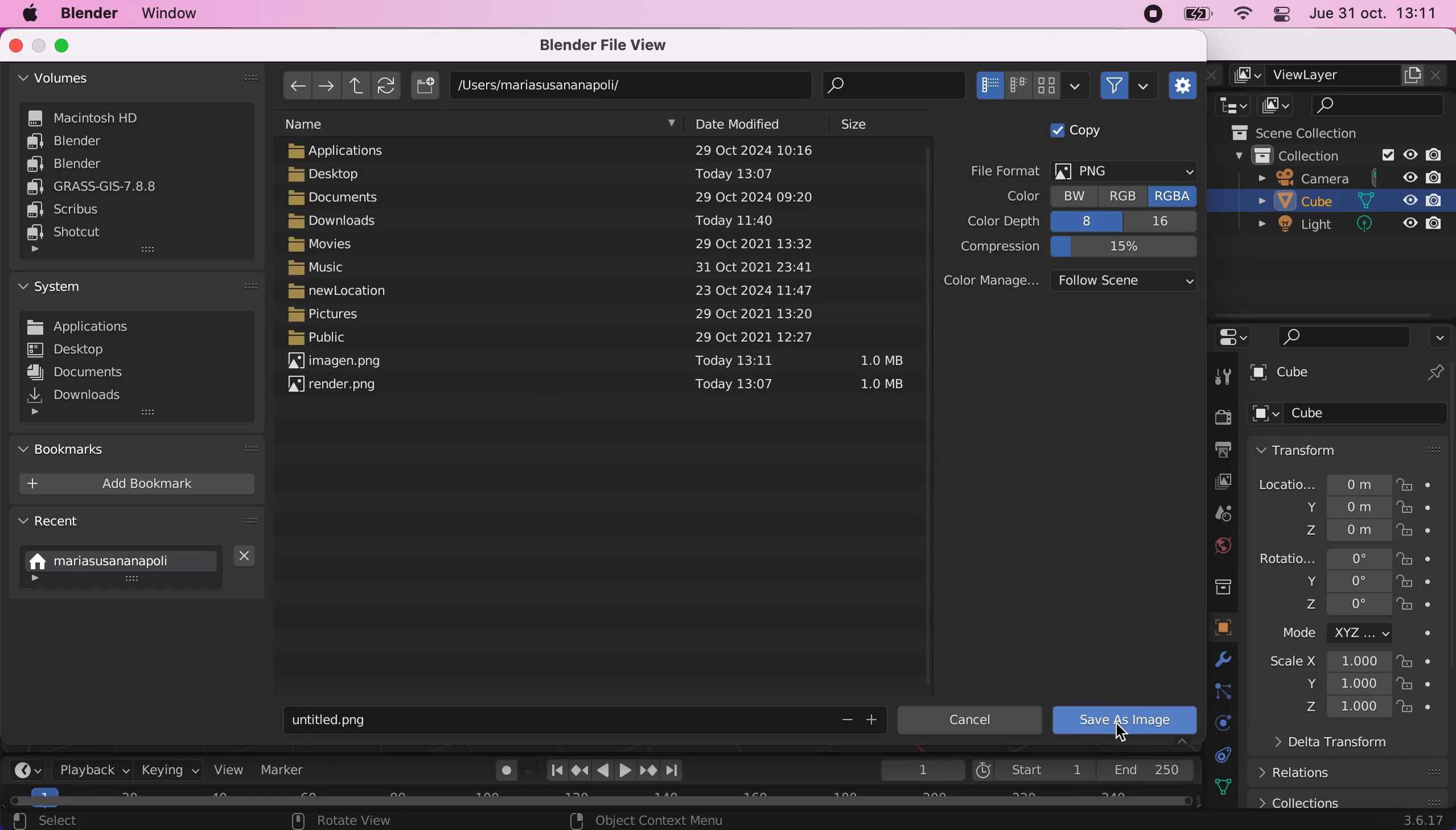 The height and width of the screenshot is (830, 1456). I want to click on rotation, so click(1323, 557).